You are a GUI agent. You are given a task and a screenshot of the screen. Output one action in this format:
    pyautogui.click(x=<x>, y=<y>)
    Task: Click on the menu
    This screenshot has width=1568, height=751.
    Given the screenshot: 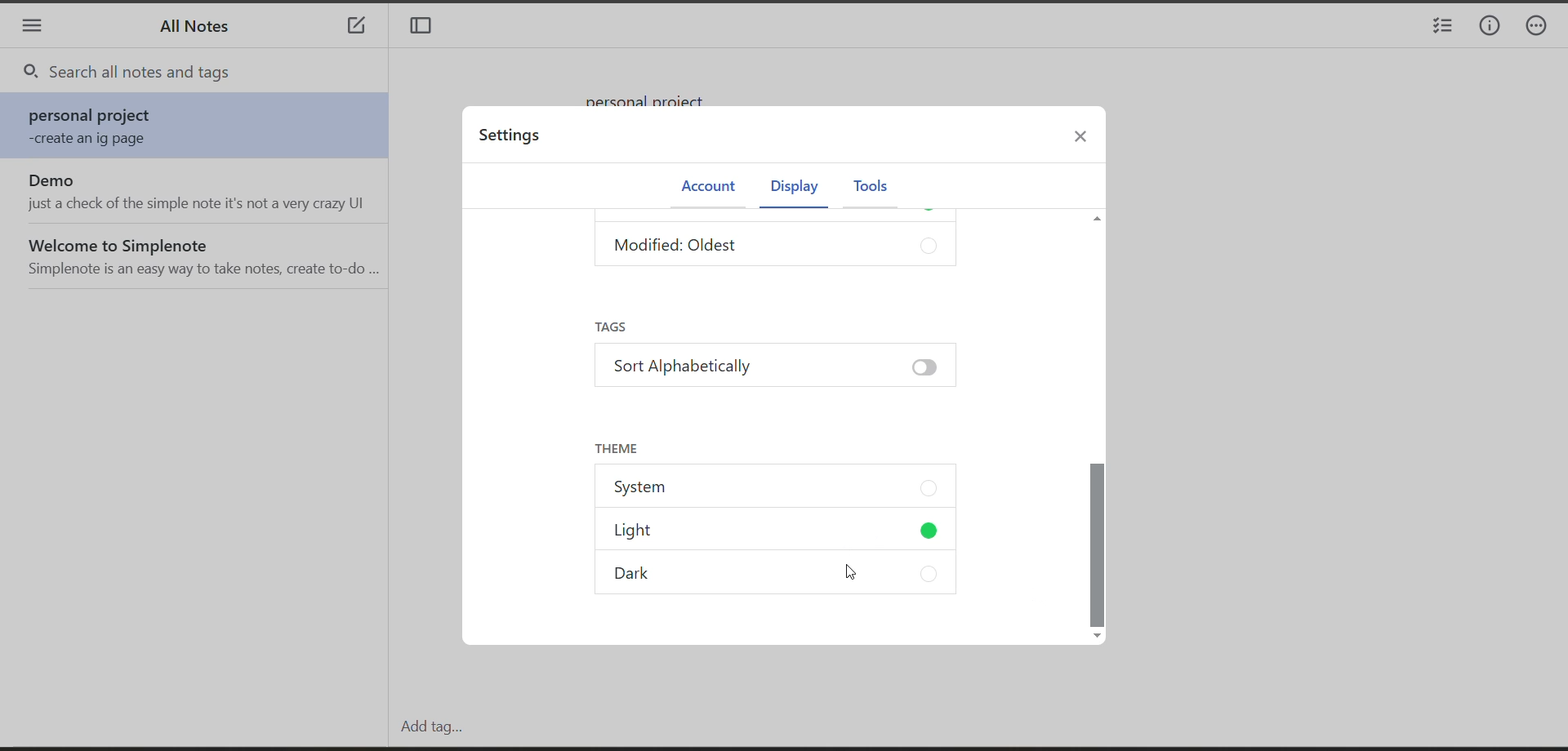 What is the action you would take?
    pyautogui.click(x=32, y=28)
    